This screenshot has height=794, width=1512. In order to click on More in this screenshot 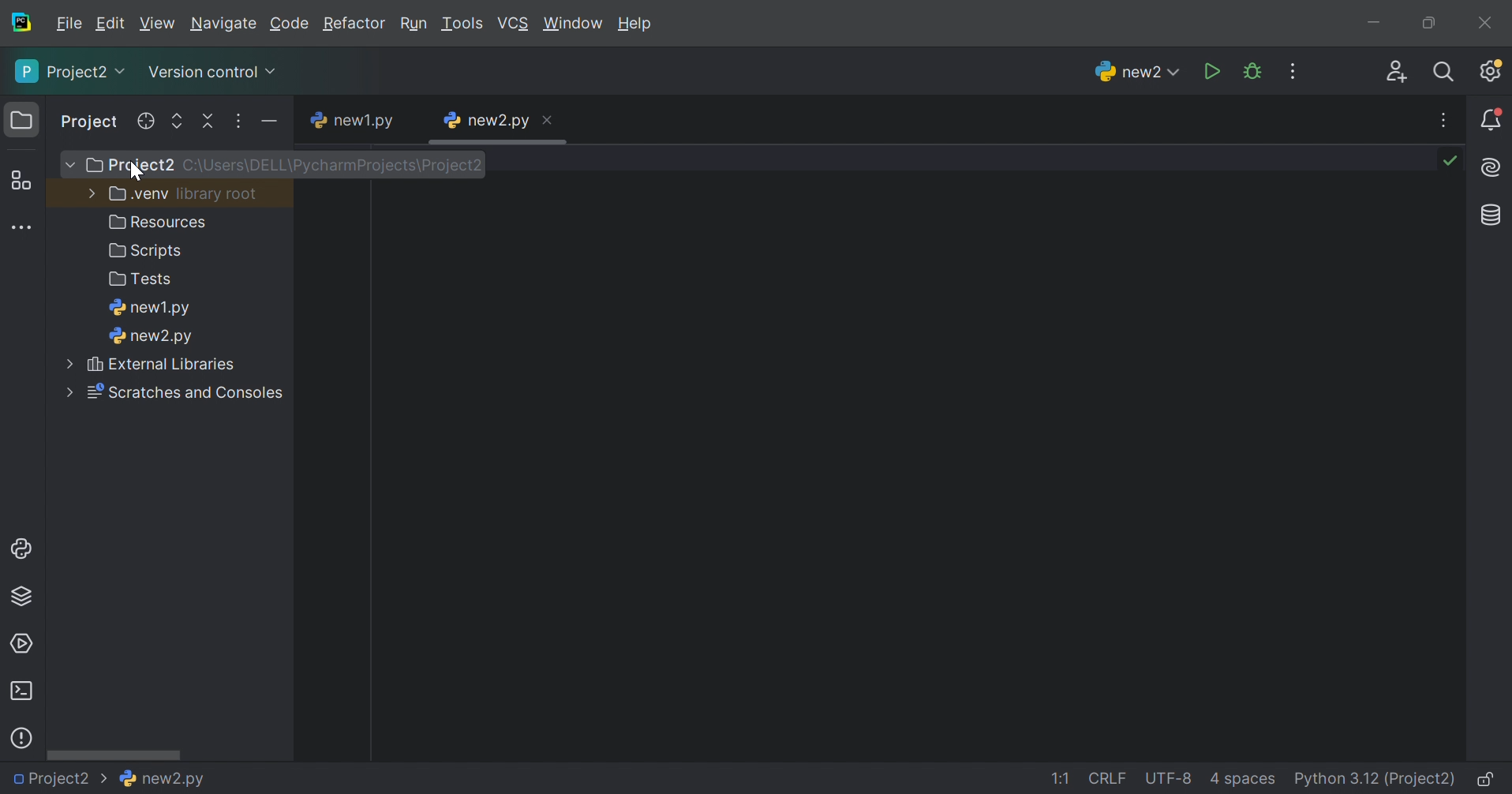, I will do `click(67, 164)`.